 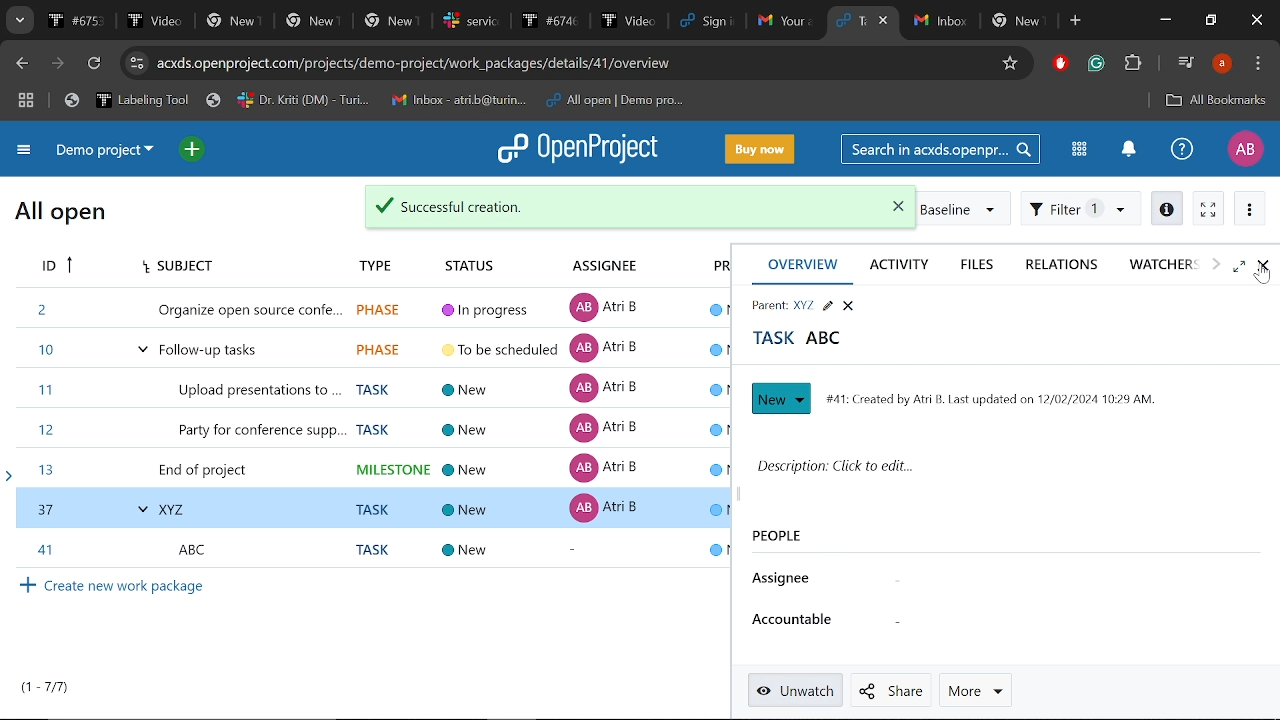 I want to click on Task Id, so click(x=54, y=267).